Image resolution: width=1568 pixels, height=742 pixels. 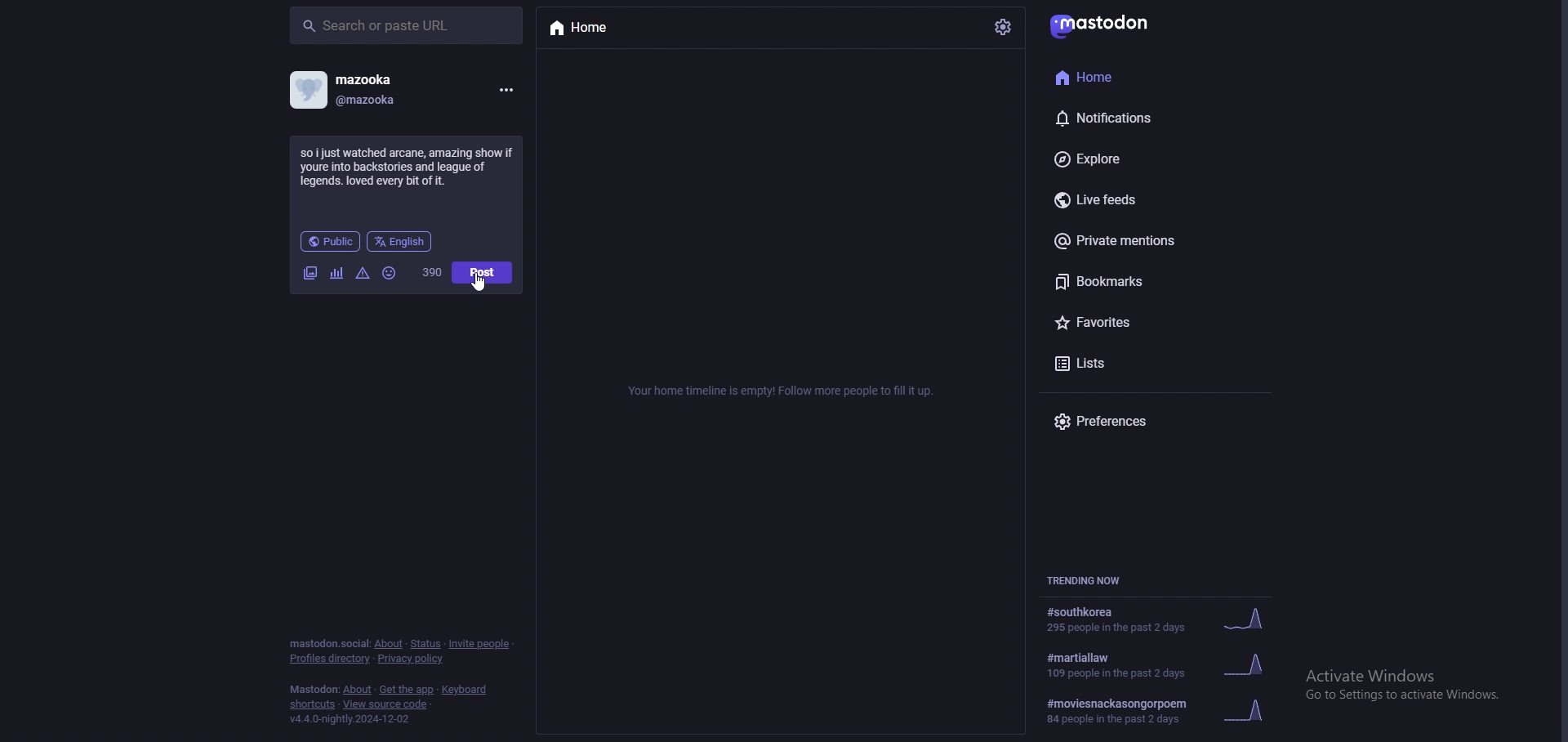 What do you see at coordinates (406, 170) in the screenshot?
I see `status` at bounding box center [406, 170].